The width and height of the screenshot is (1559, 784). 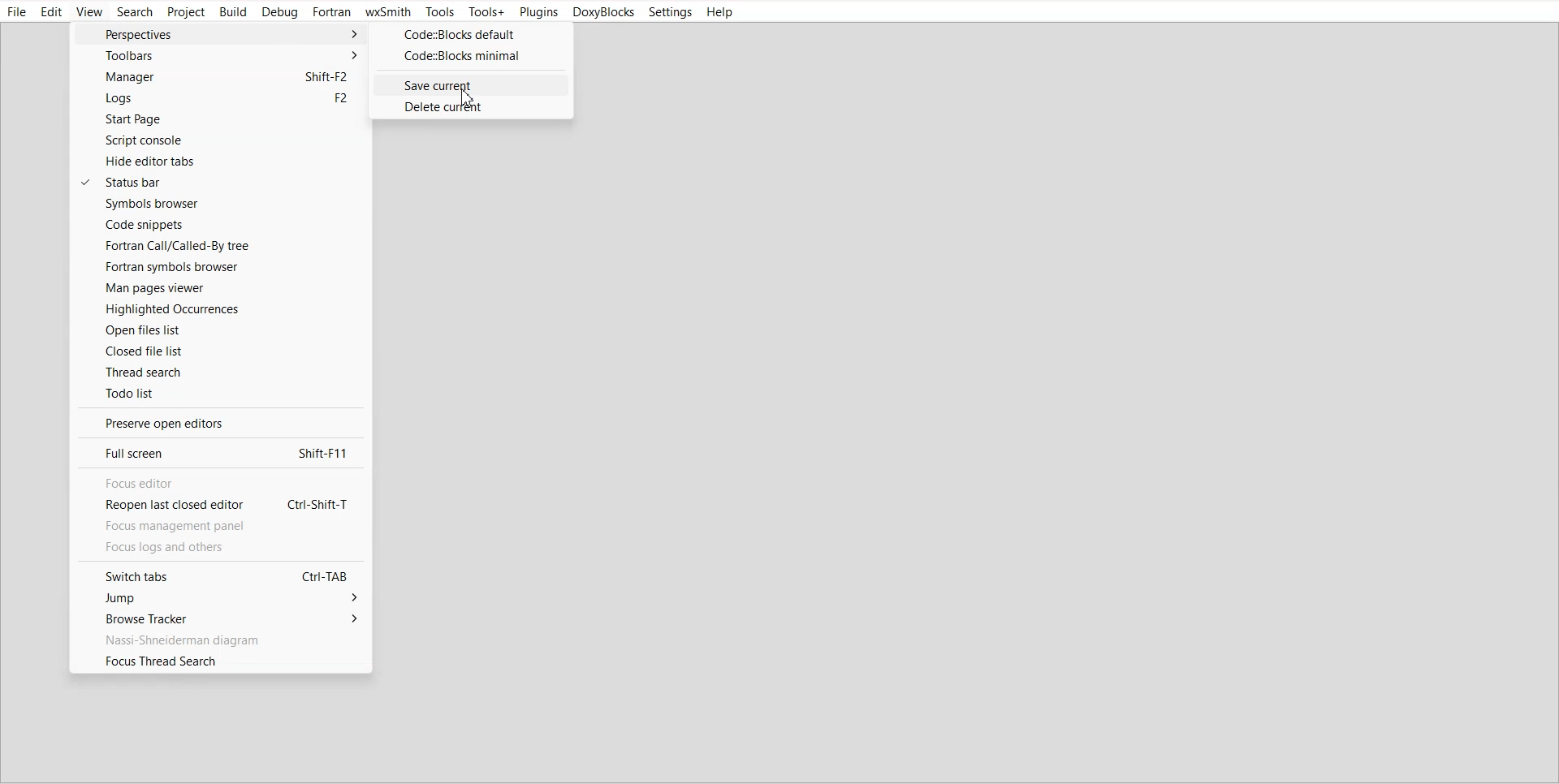 I want to click on Fortran call, so click(x=219, y=245).